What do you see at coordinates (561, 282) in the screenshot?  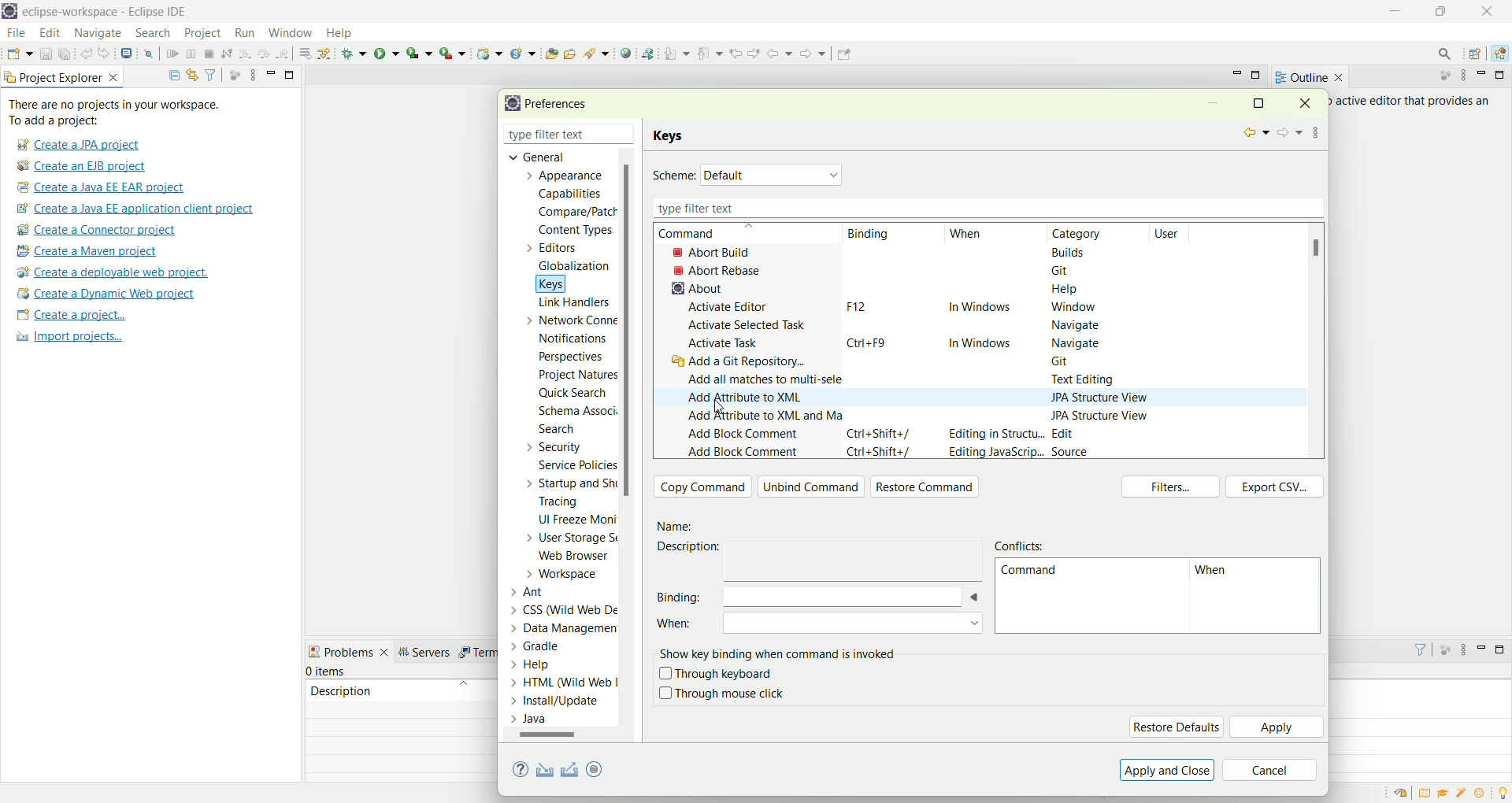 I see `keys` at bounding box center [561, 282].